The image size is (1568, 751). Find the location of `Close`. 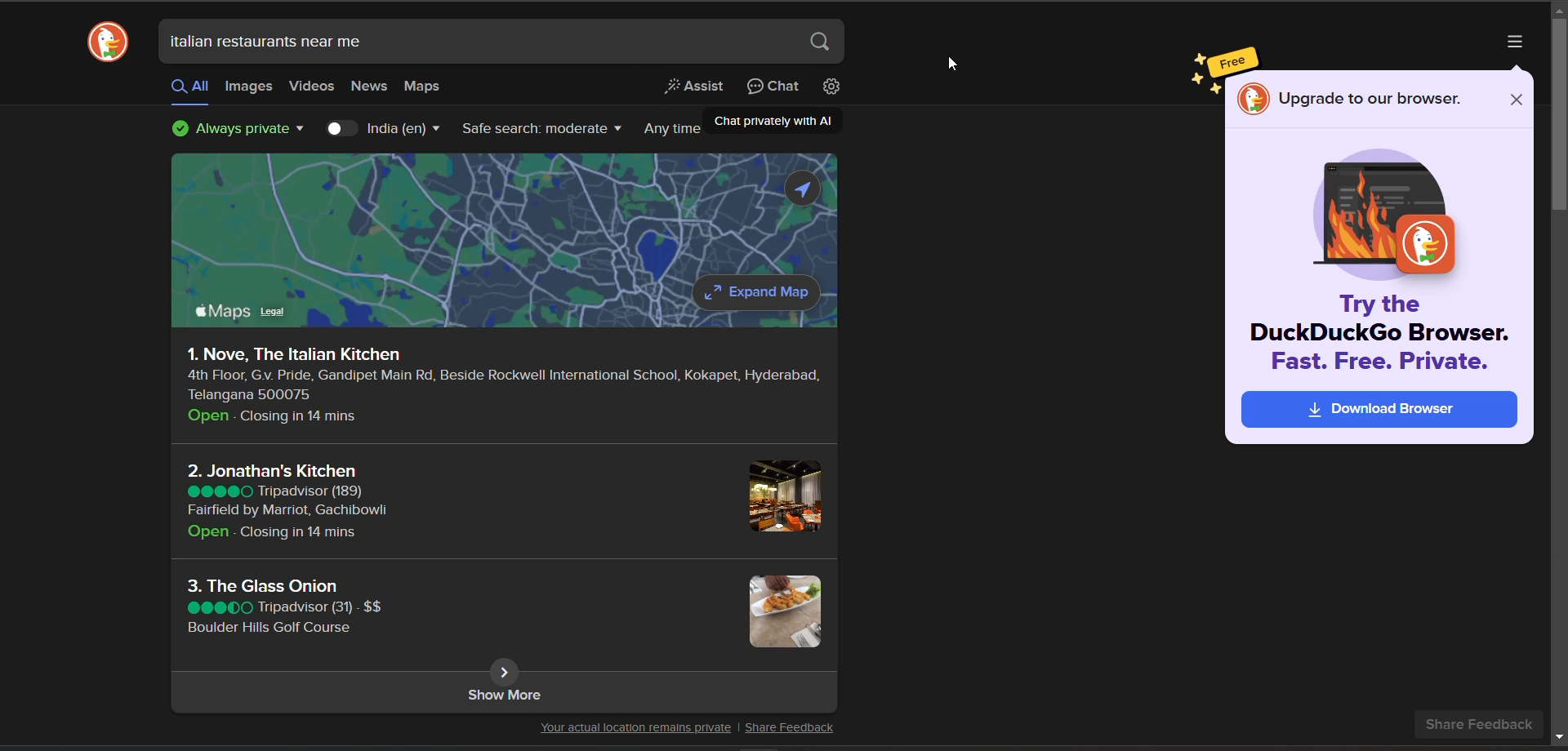

Close is located at coordinates (1517, 100).